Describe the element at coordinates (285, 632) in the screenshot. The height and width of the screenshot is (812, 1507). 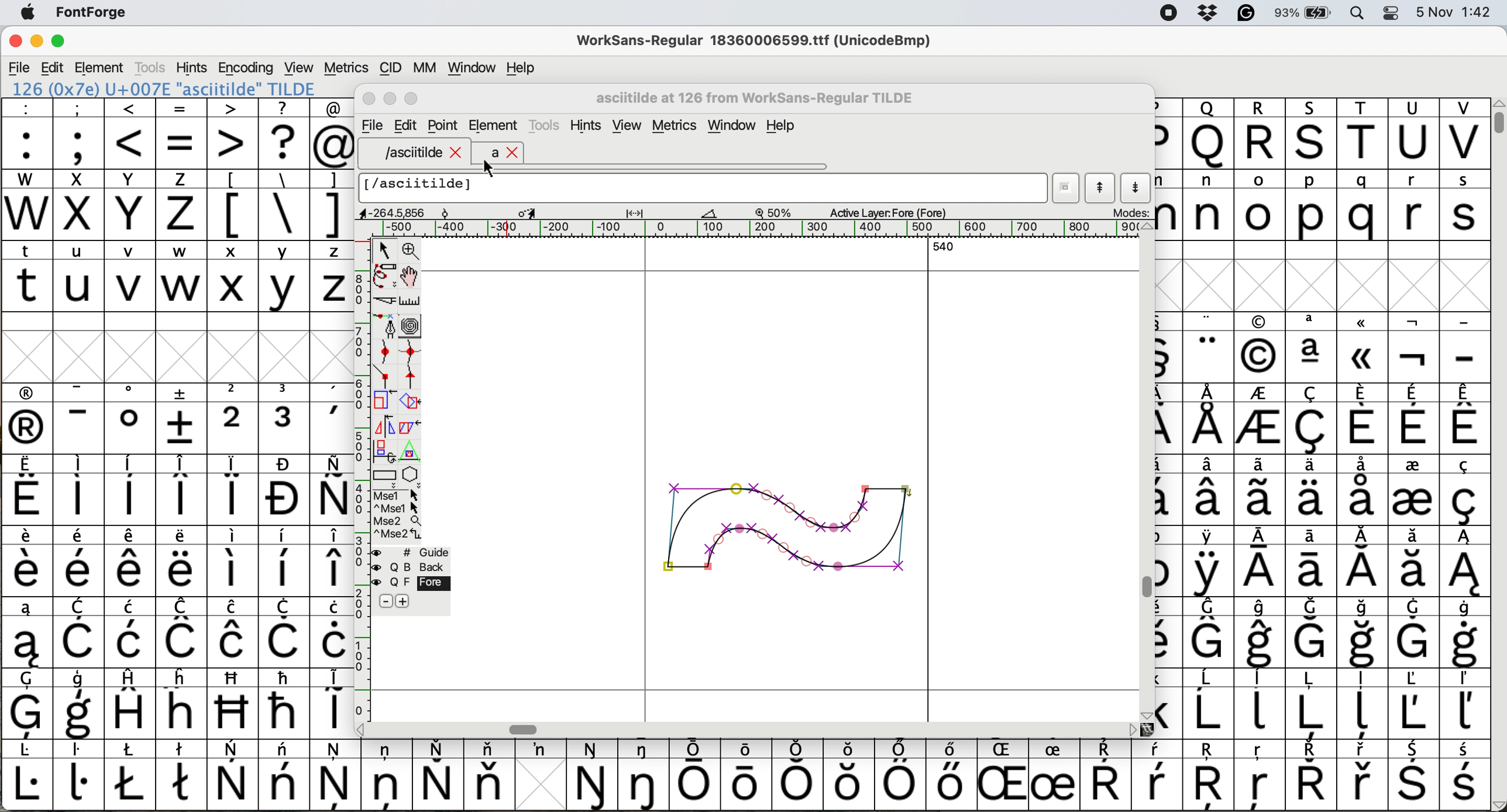
I see `symbol` at that location.